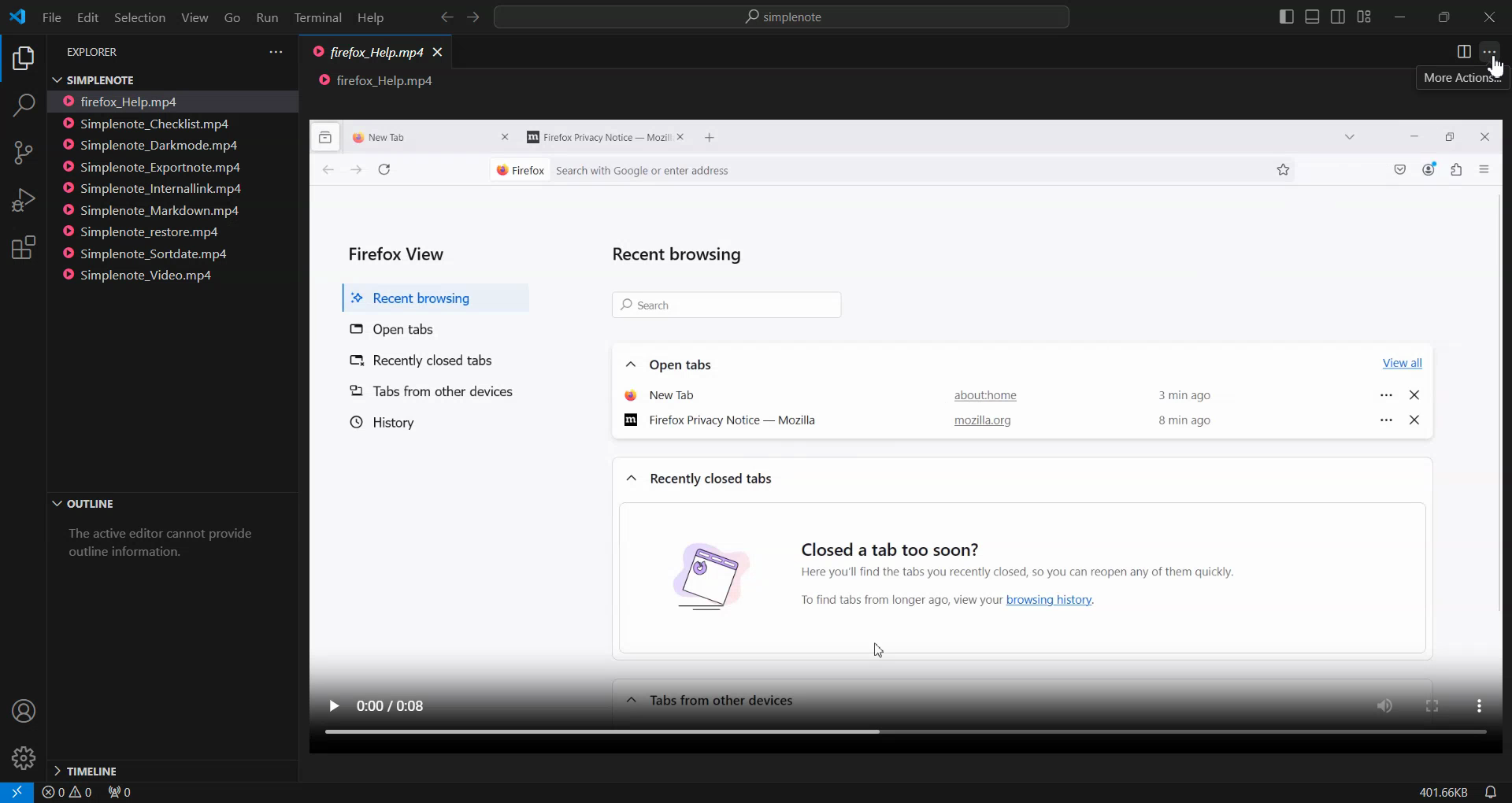 This screenshot has height=803, width=1512. I want to click on Run and debug, so click(22, 200).